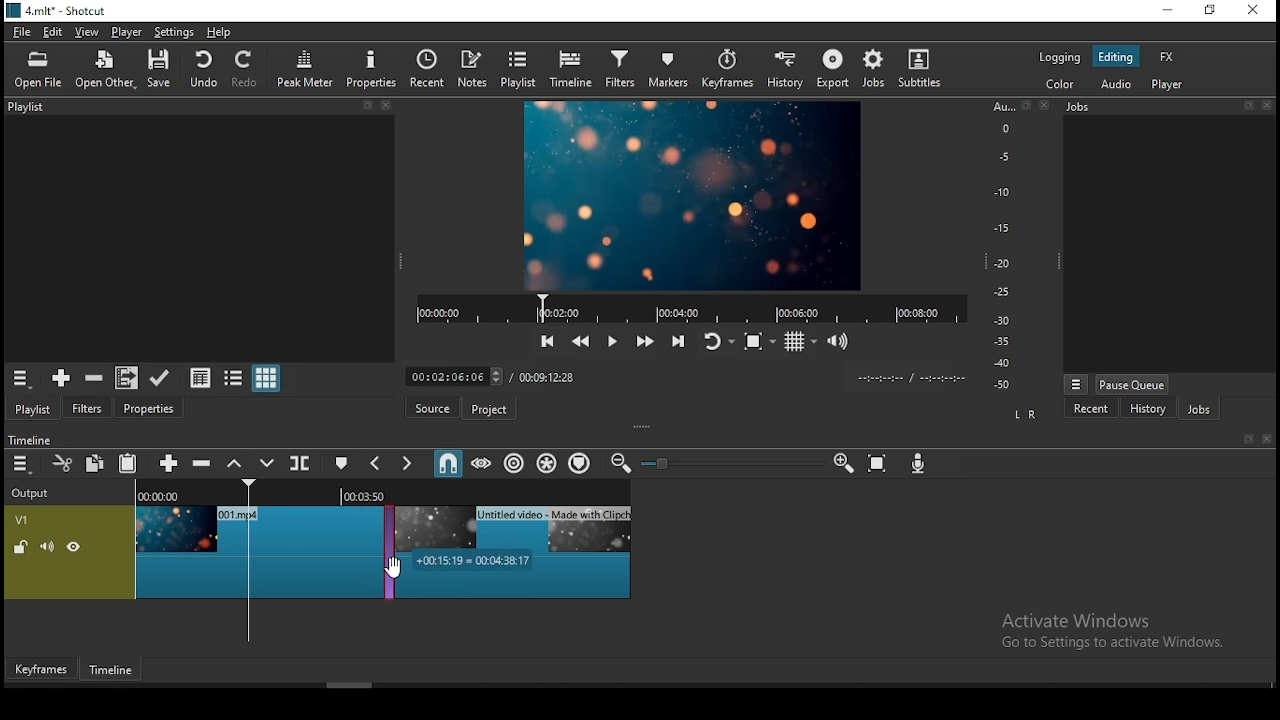 The width and height of the screenshot is (1280, 720). What do you see at coordinates (85, 31) in the screenshot?
I see `view` at bounding box center [85, 31].